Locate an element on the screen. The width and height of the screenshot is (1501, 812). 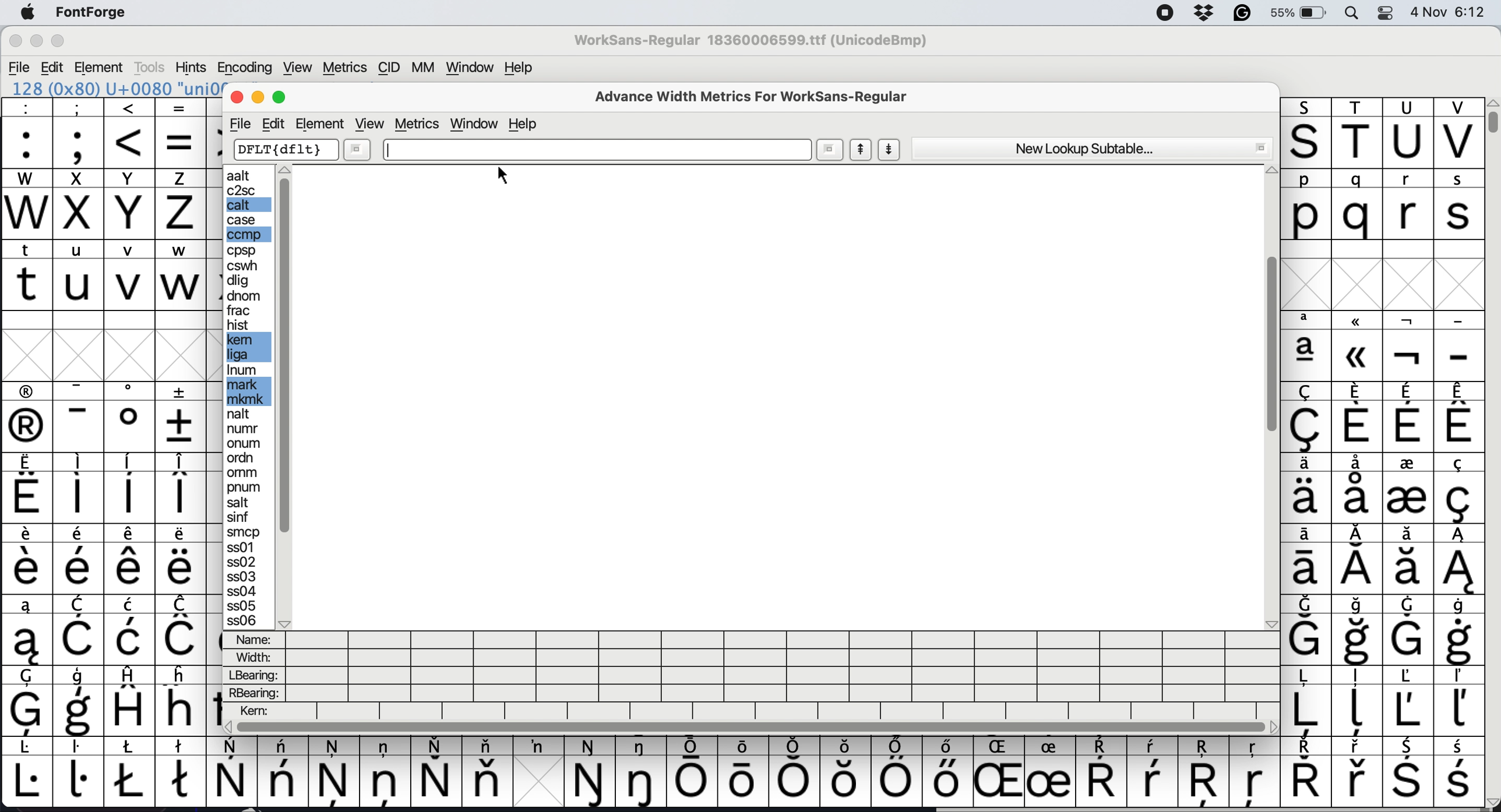
close is located at coordinates (234, 96).